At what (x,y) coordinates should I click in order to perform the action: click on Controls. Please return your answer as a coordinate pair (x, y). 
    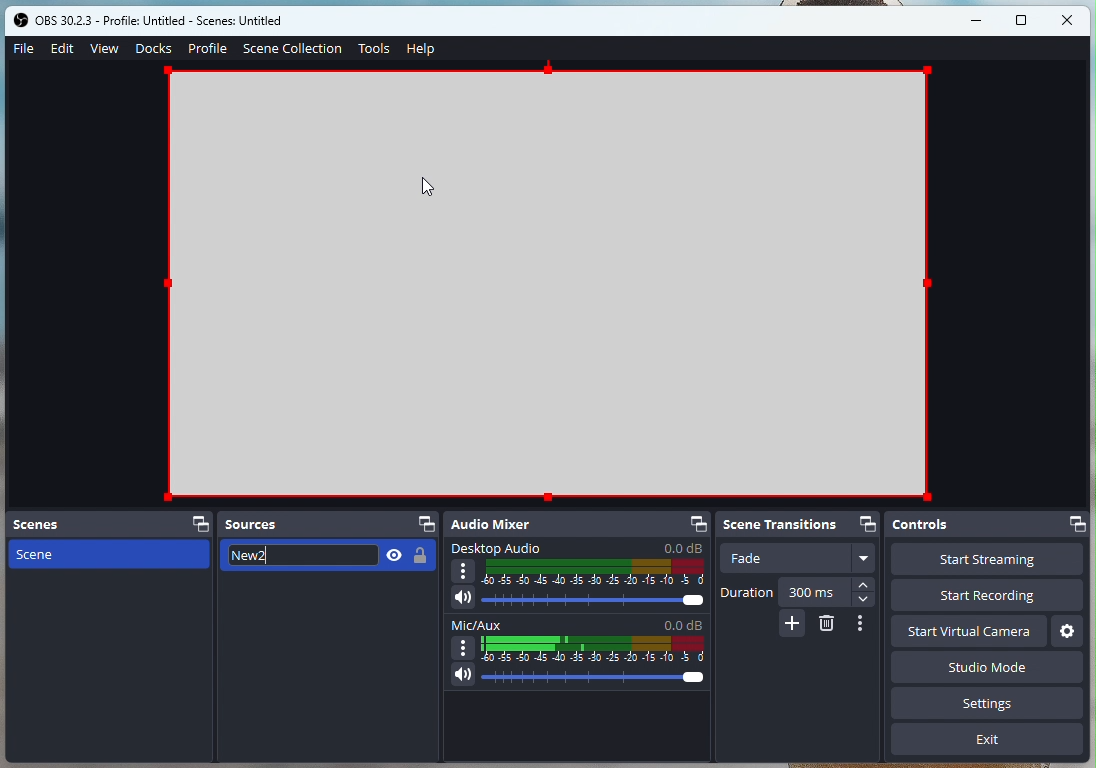
    Looking at the image, I should click on (988, 527).